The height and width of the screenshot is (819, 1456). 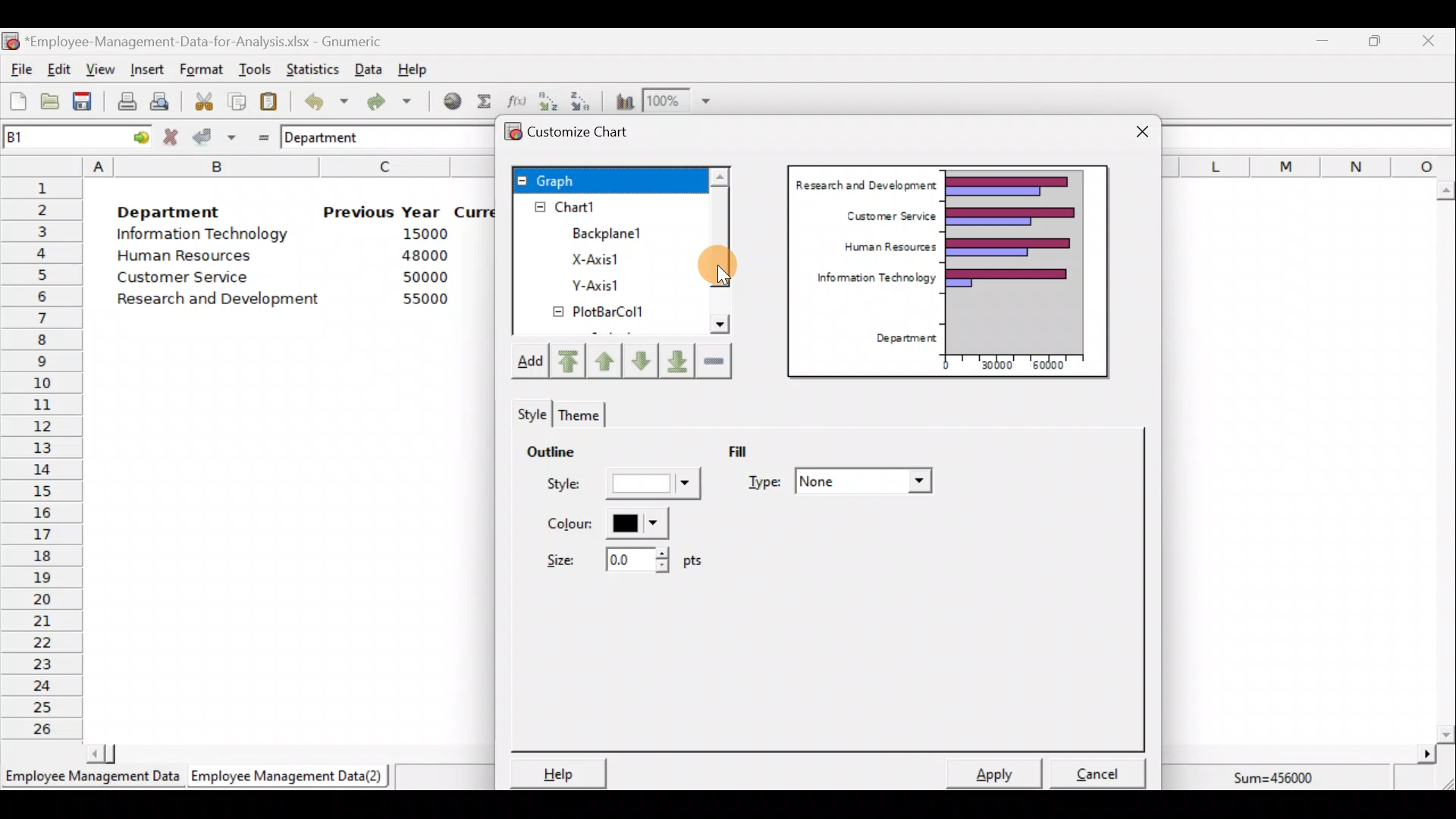 I want to click on Chart preview, so click(x=1025, y=261).